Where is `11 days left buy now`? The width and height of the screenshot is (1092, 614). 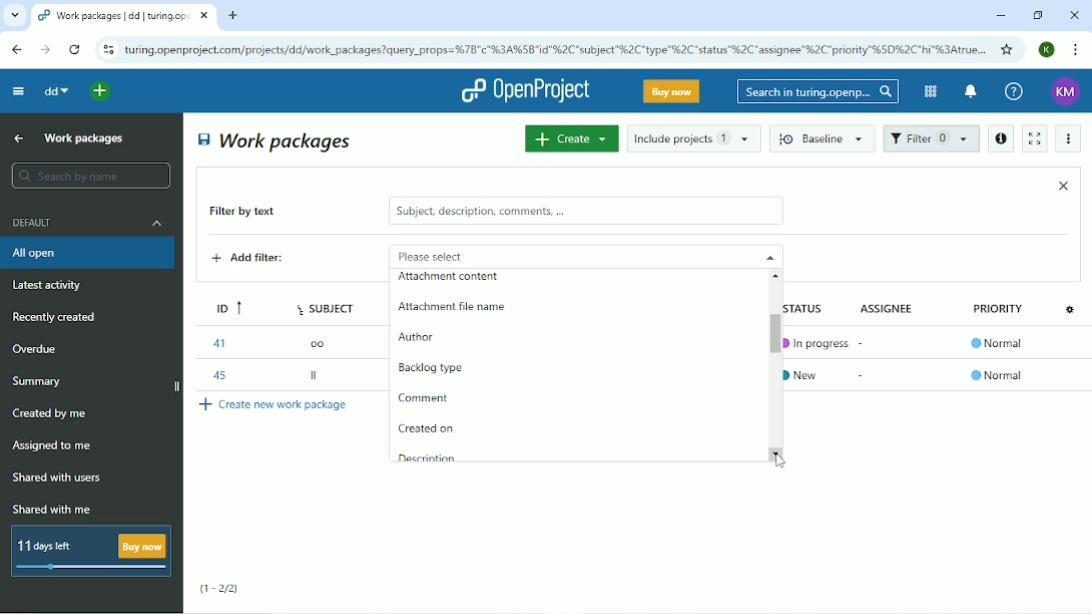 11 days left buy now is located at coordinates (89, 551).